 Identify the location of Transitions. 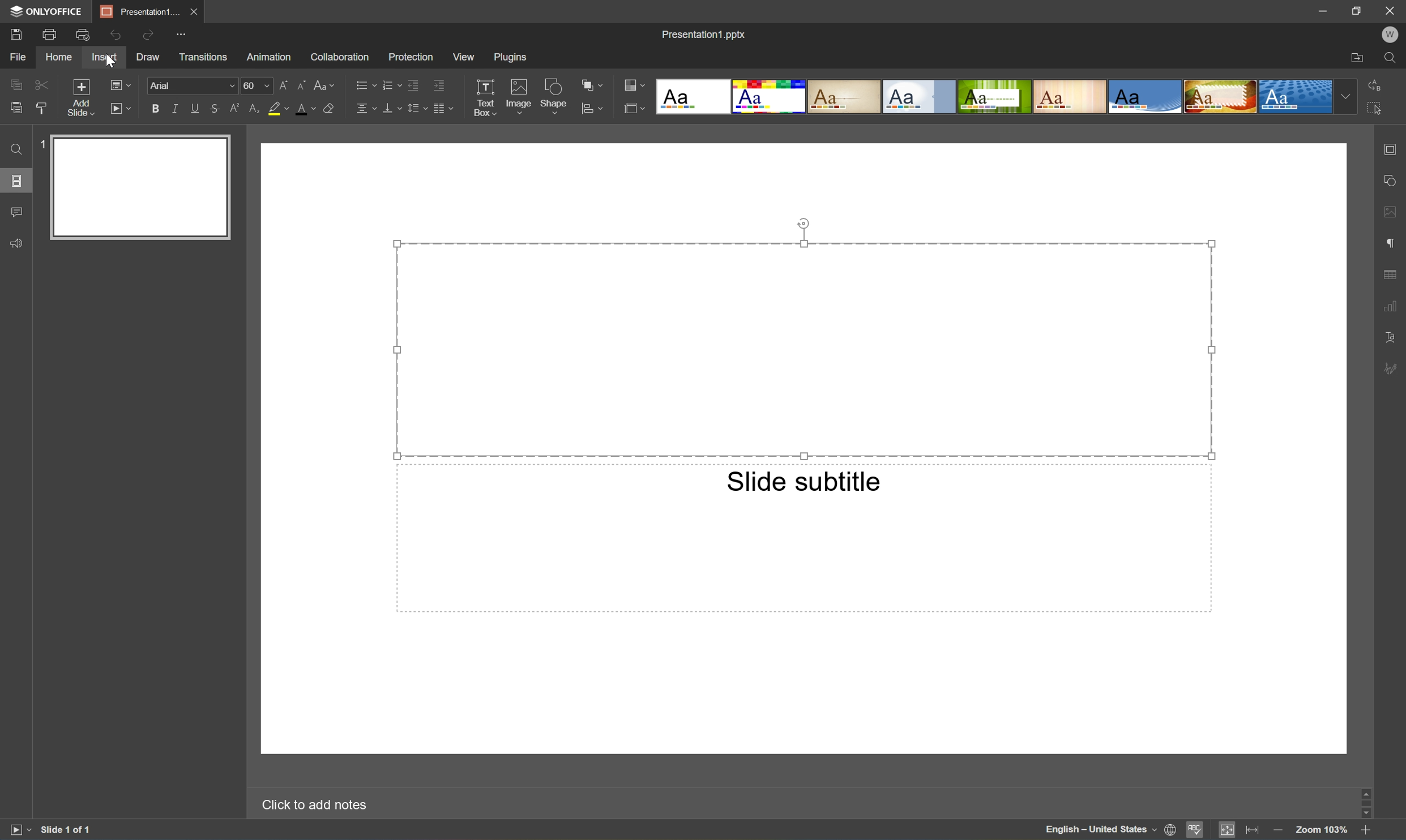
(203, 58).